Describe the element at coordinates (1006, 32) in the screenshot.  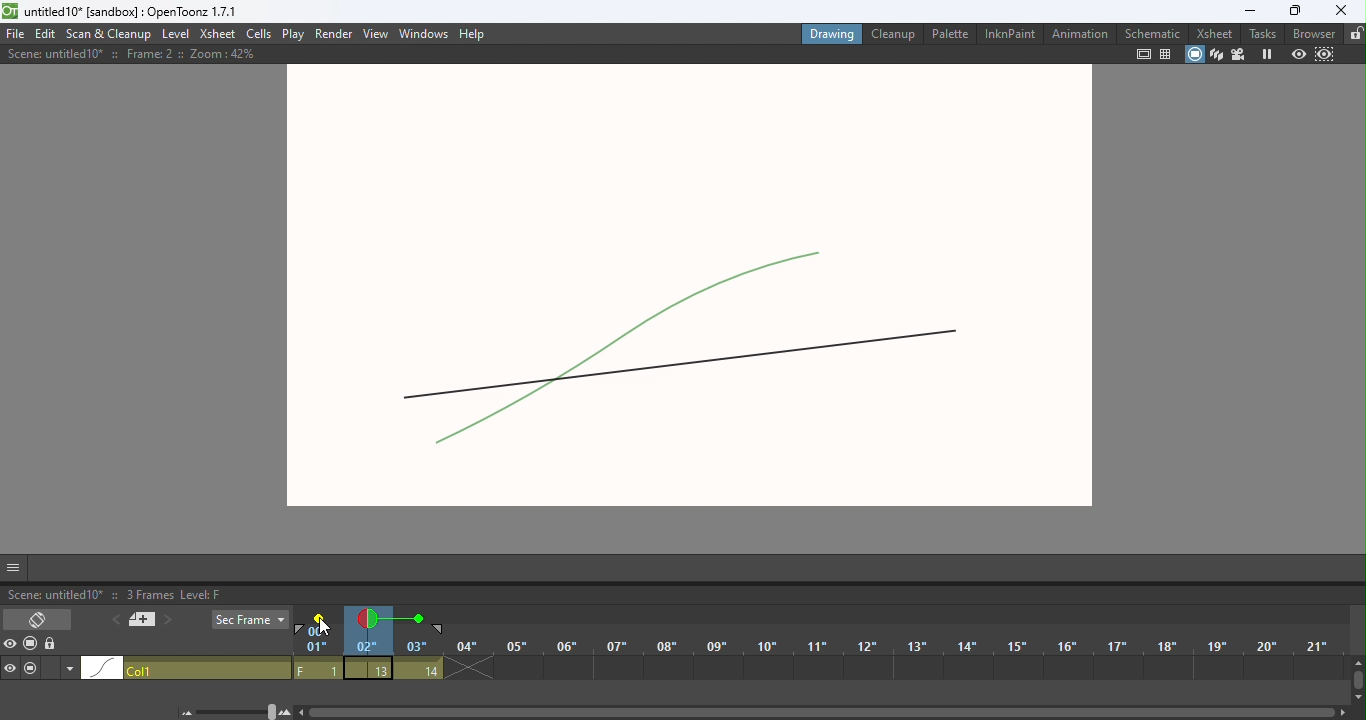
I see `InknPaint` at that location.